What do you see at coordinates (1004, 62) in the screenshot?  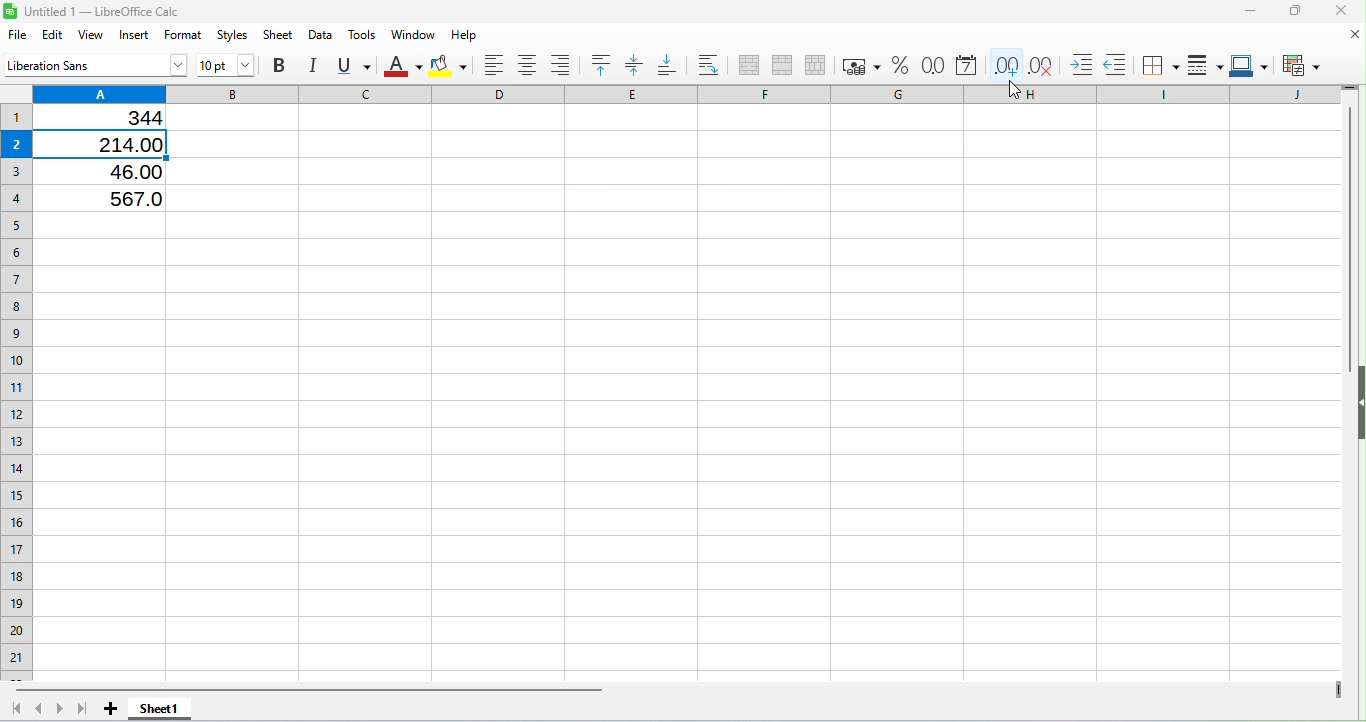 I see `Add decimal place` at bounding box center [1004, 62].